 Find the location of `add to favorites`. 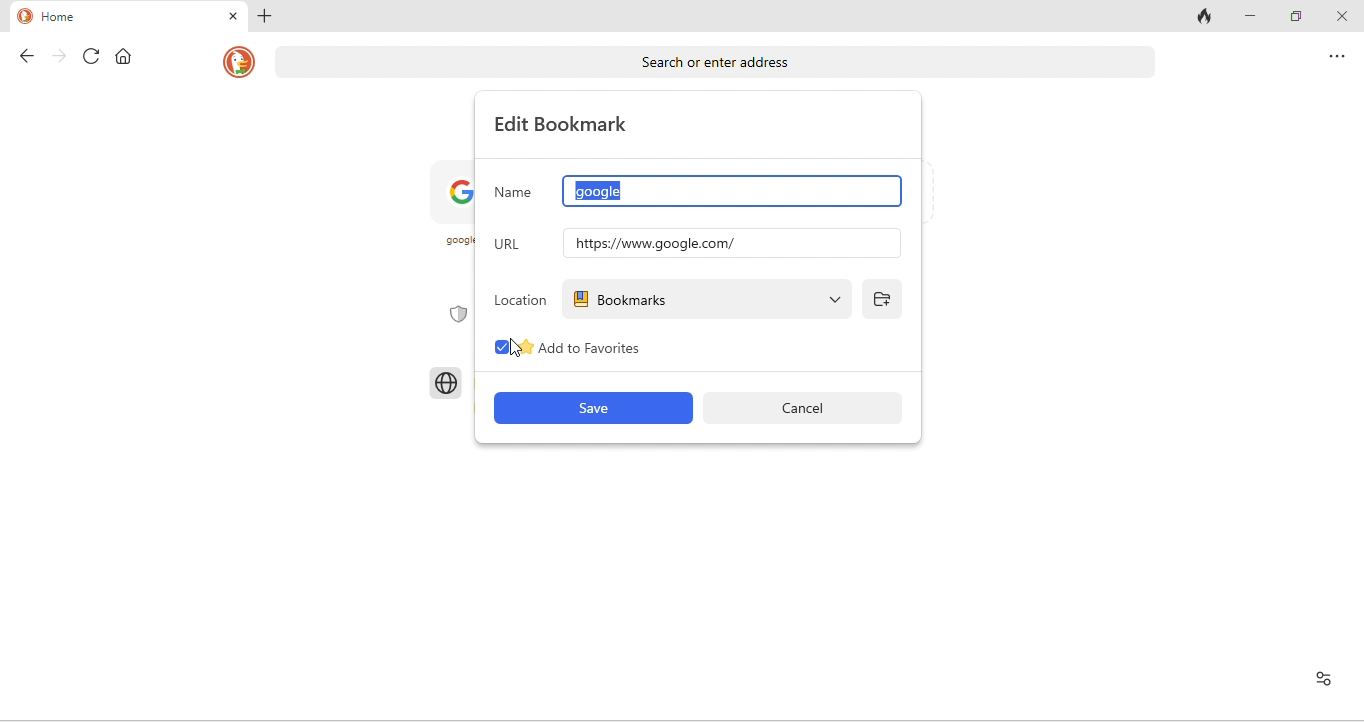

add to favorites is located at coordinates (611, 351).